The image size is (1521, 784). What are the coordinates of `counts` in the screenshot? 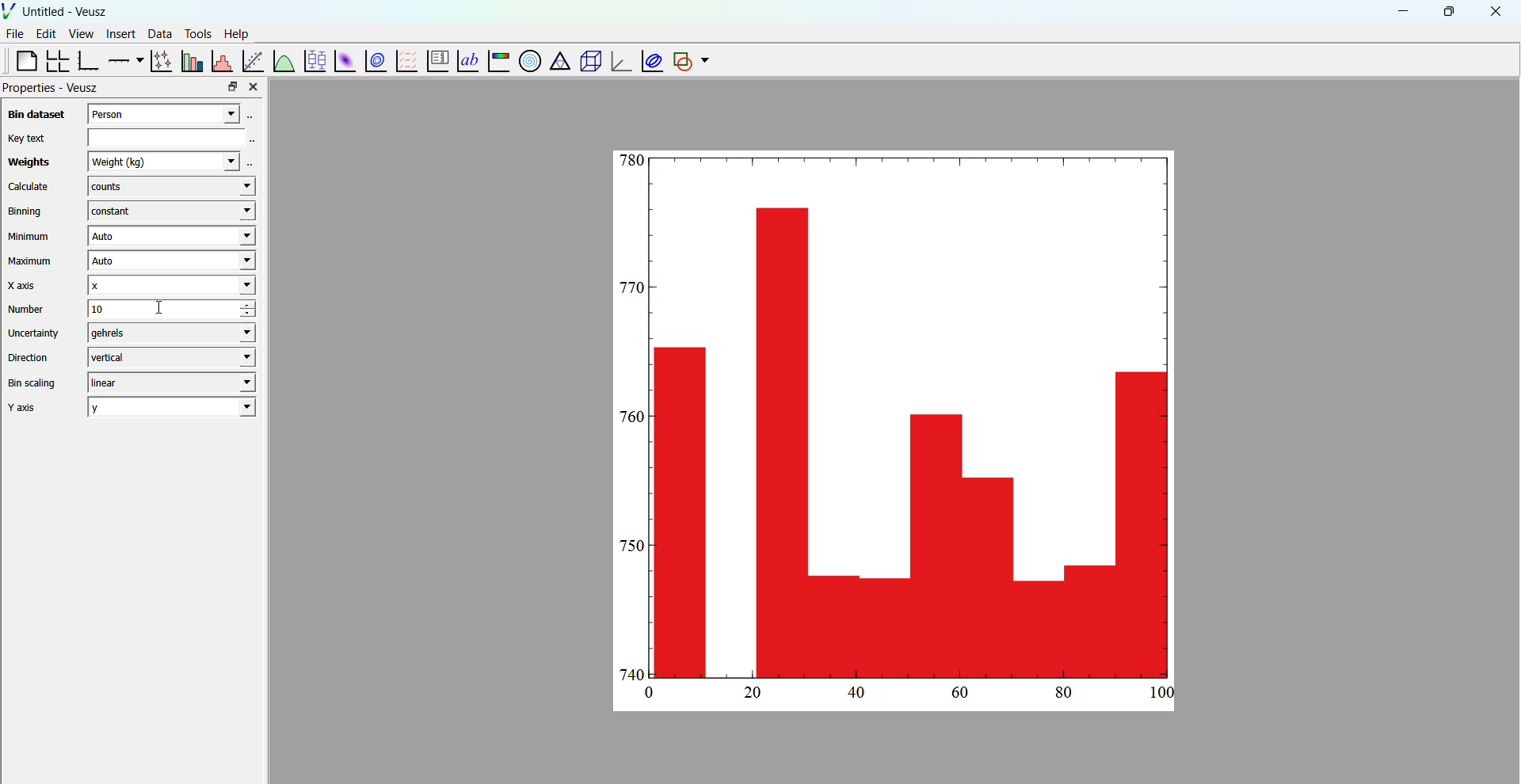 It's located at (170, 188).